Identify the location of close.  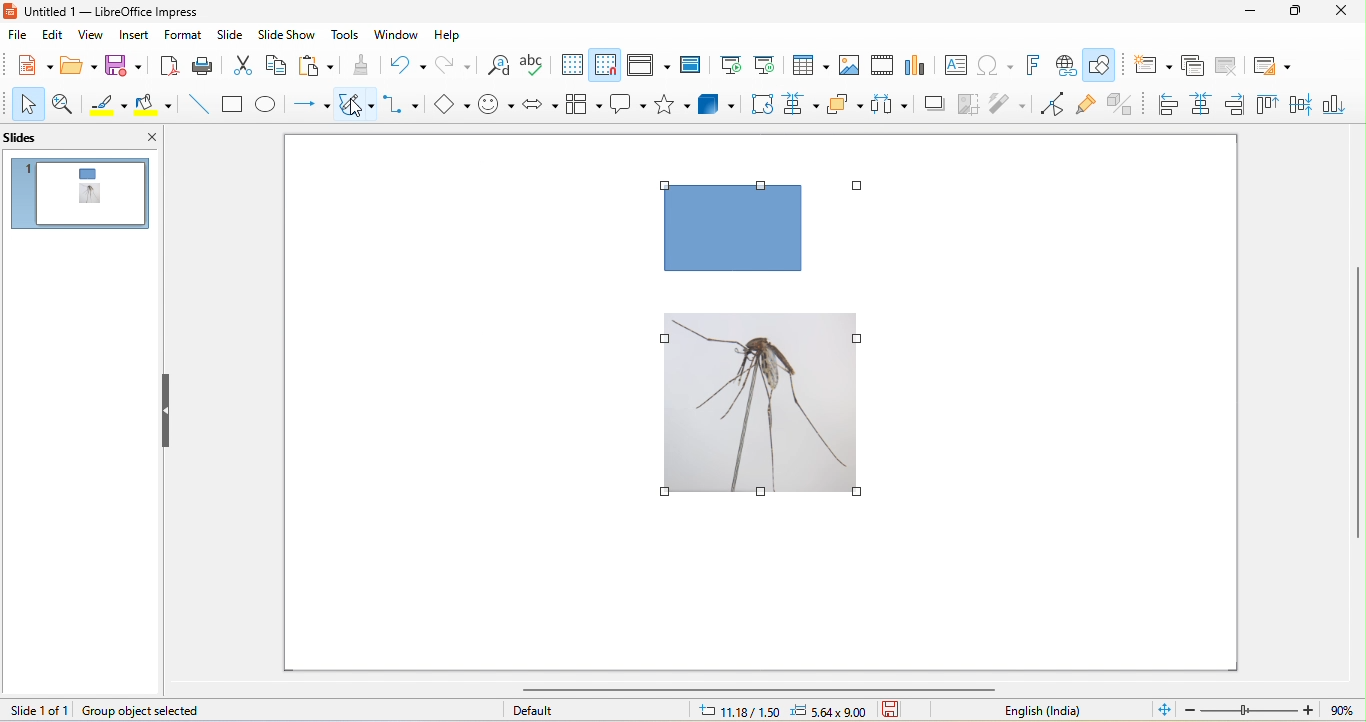
(139, 137).